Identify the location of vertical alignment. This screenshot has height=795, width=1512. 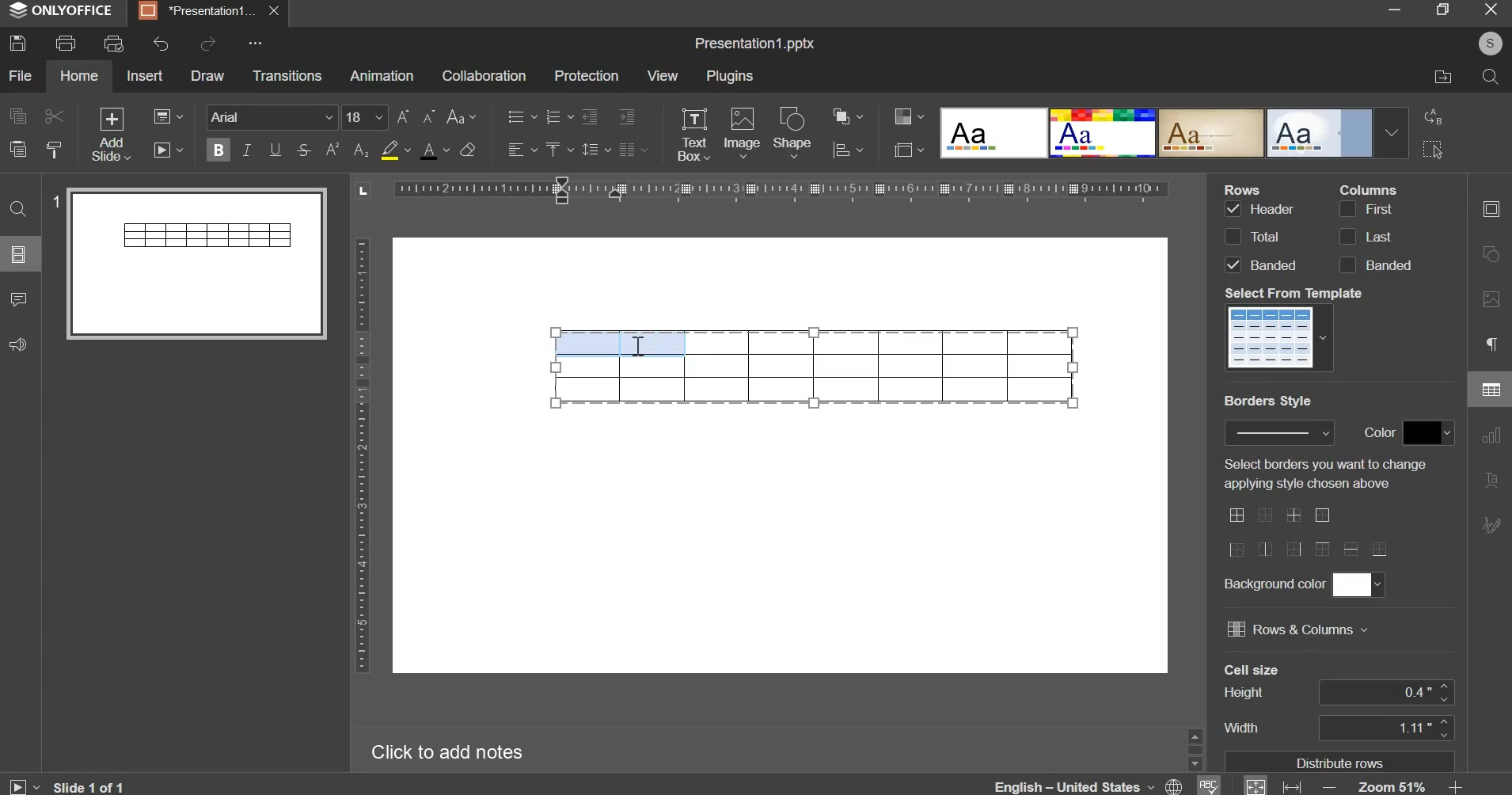
(557, 149).